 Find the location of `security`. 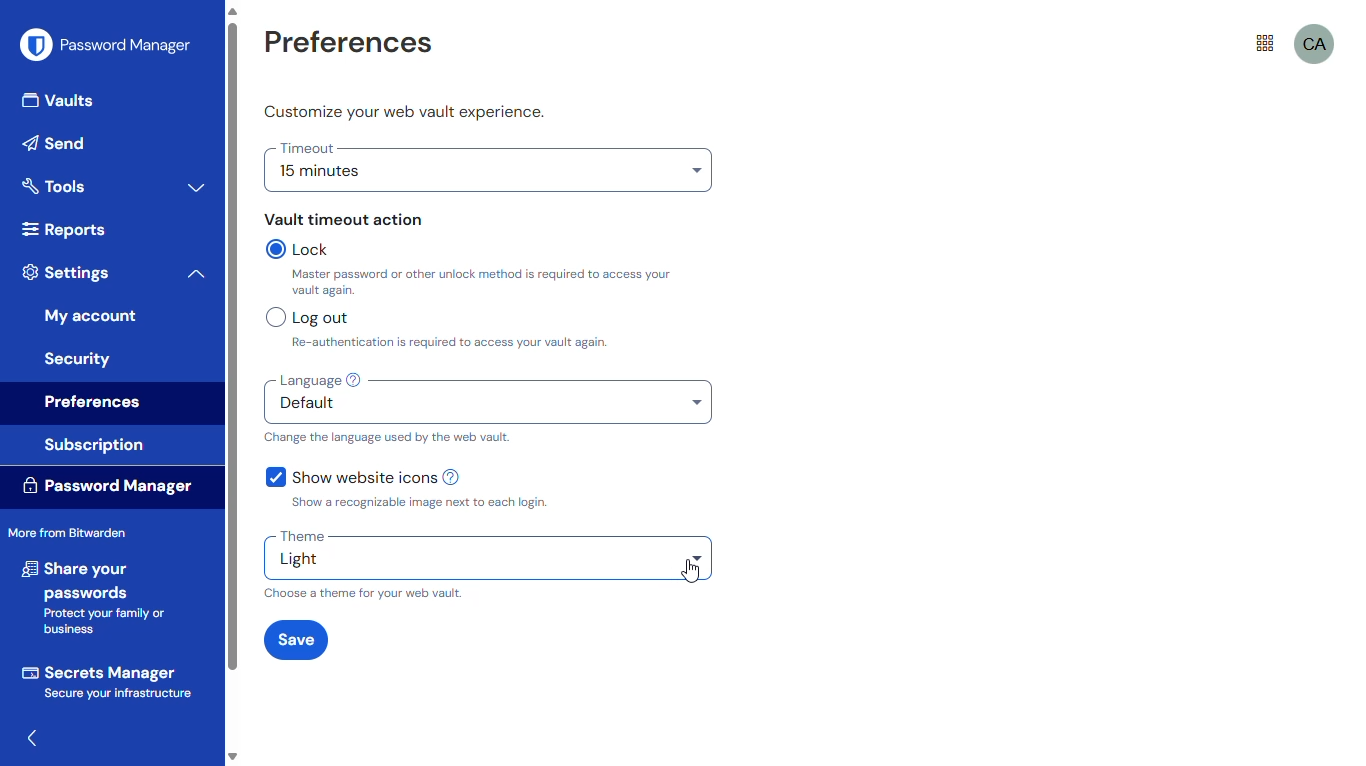

security is located at coordinates (79, 358).